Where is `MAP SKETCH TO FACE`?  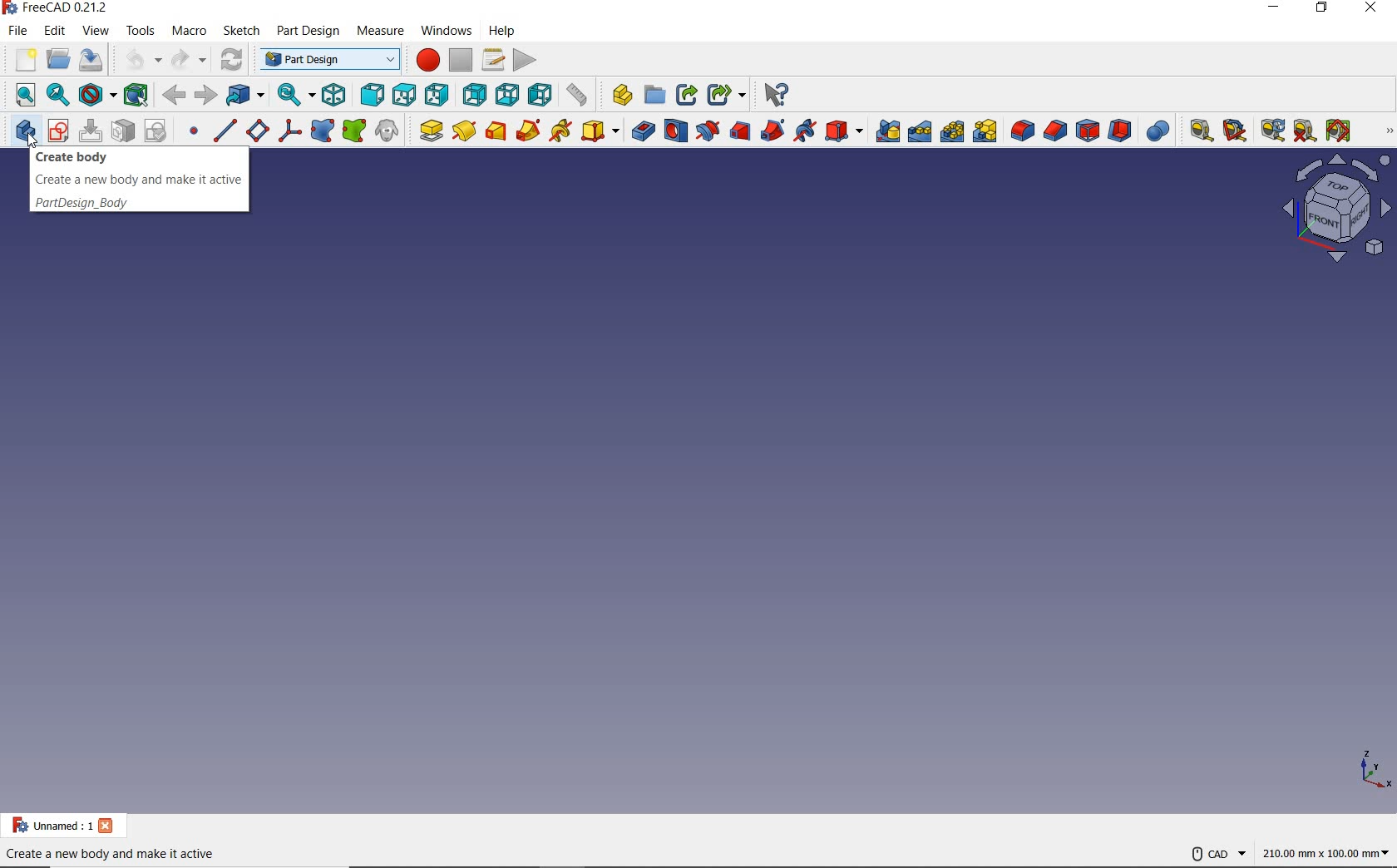 MAP SKETCH TO FACE is located at coordinates (124, 130).